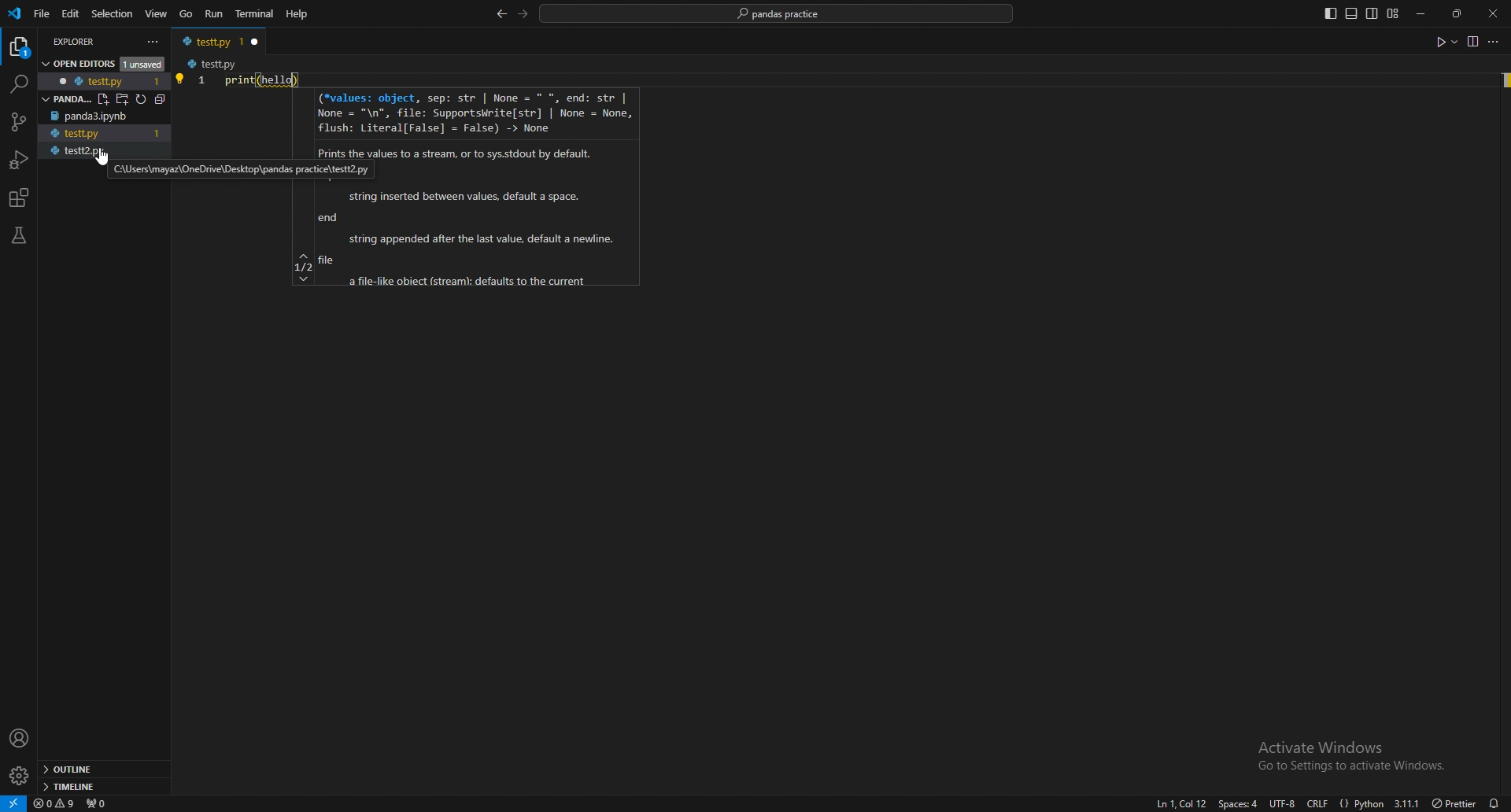 The width and height of the screenshot is (1511, 812). What do you see at coordinates (1319, 803) in the screenshot?
I see `crlf` at bounding box center [1319, 803].